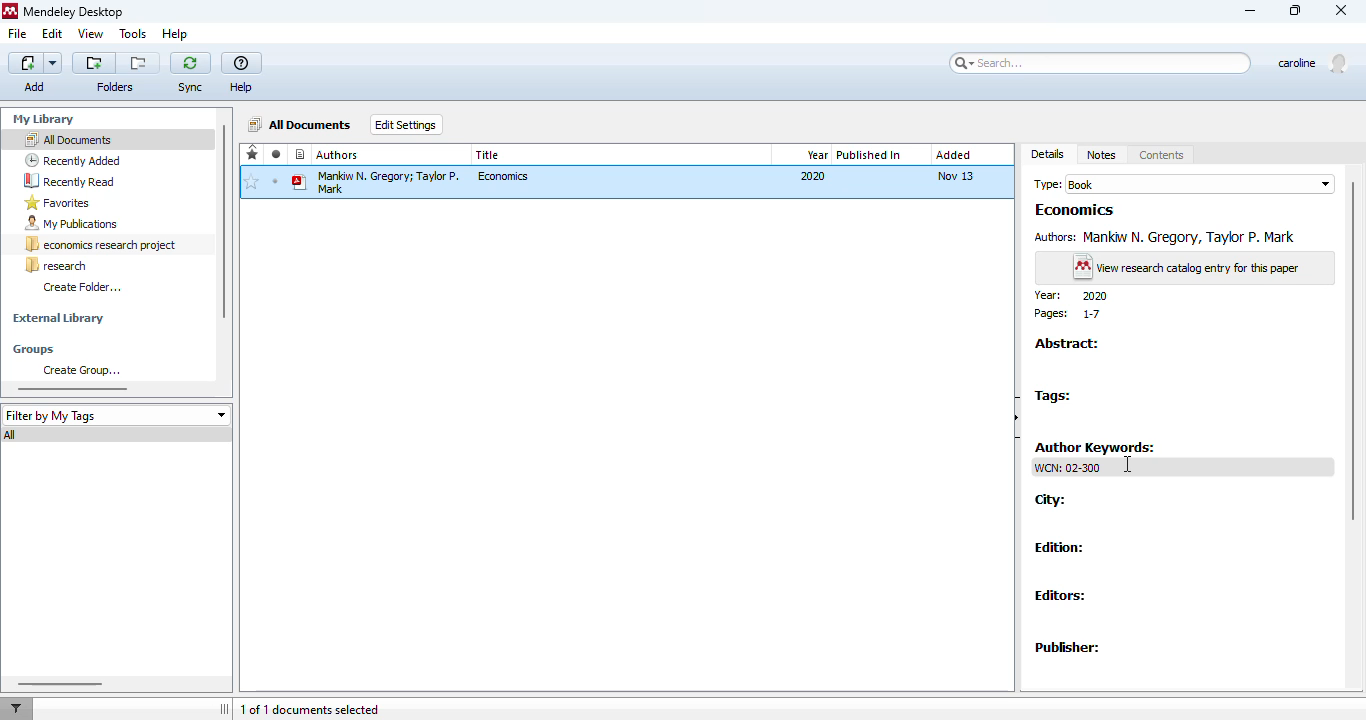 The height and width of the screenshot is (720, 1366). What do you see at coordinates (1101, 63) in the screenshot?
I see `search` at bounding box center [1101, 63].